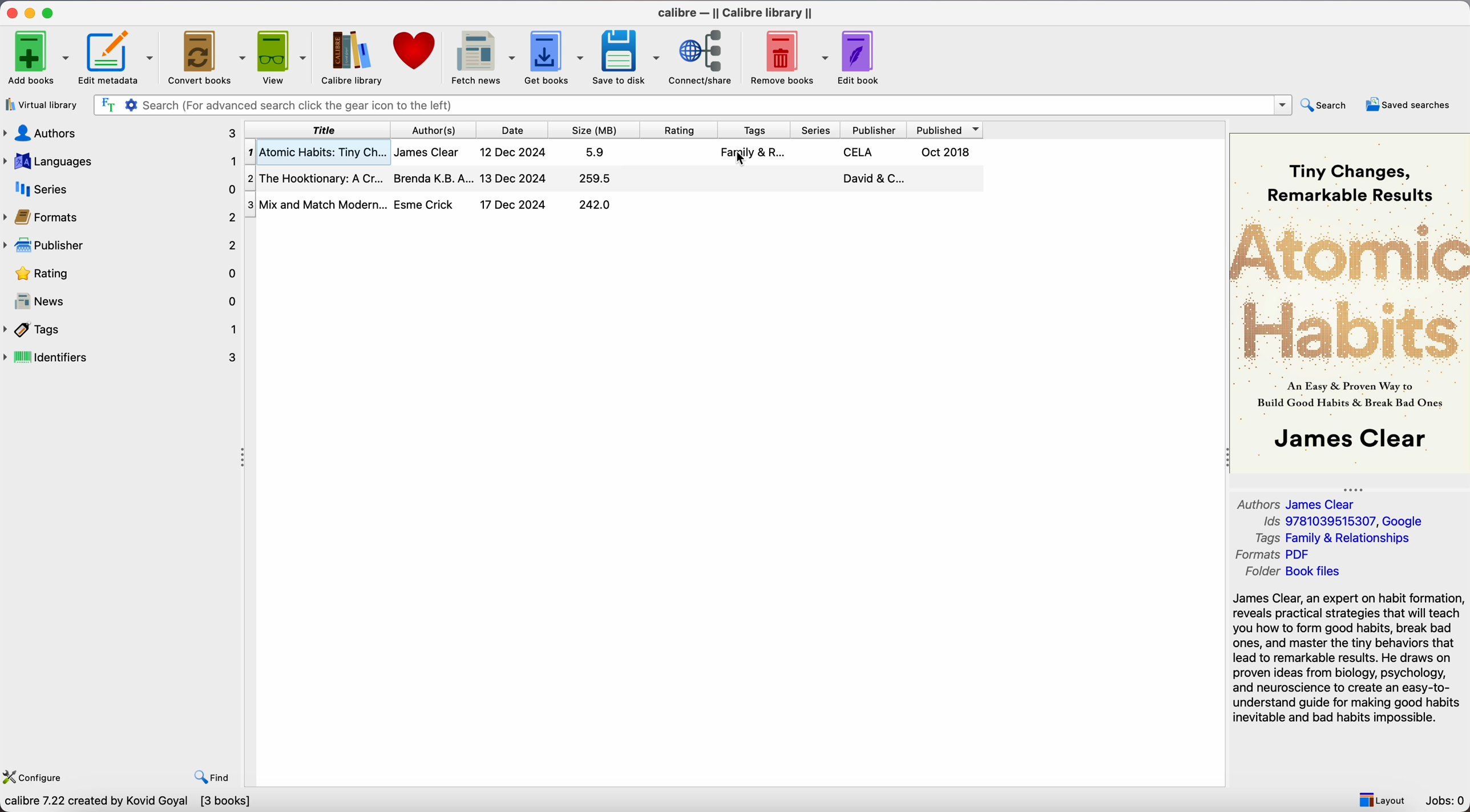  I want to click on 242.0, so click(595, 206).